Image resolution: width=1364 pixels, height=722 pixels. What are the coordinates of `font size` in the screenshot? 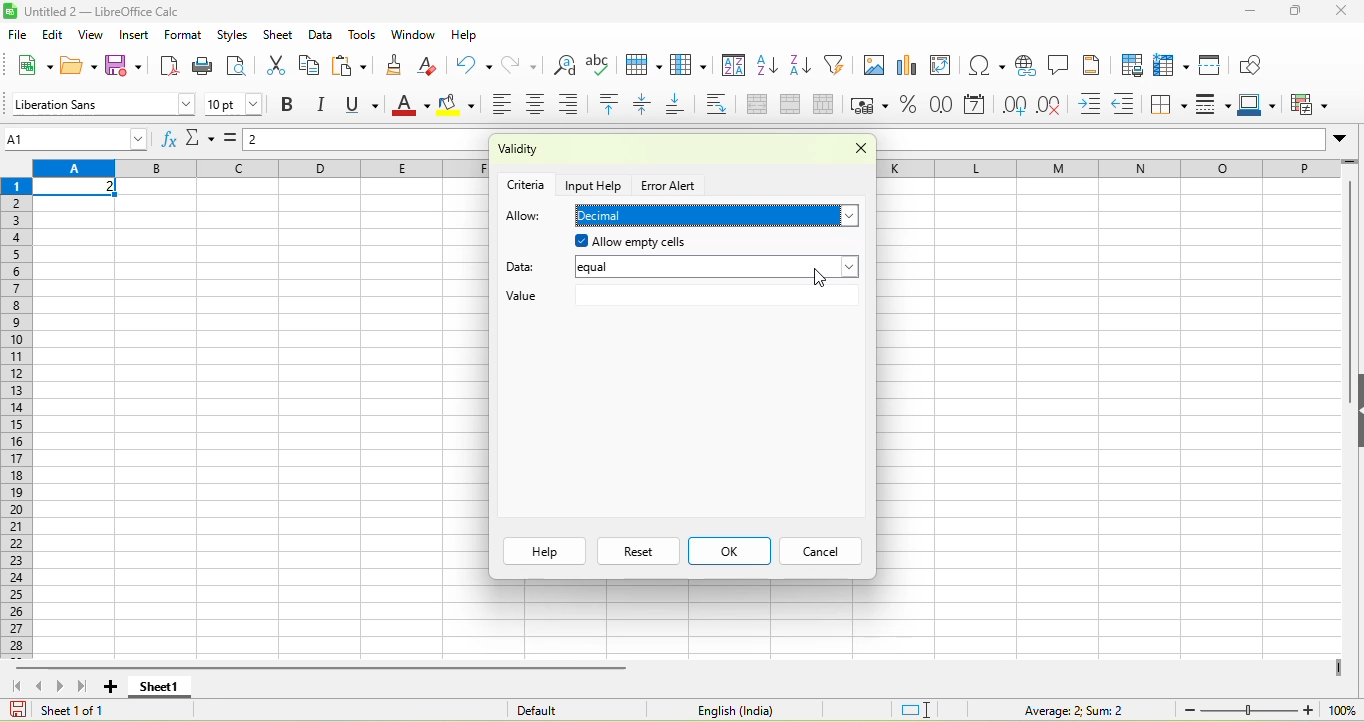 It's located at (235, 104).